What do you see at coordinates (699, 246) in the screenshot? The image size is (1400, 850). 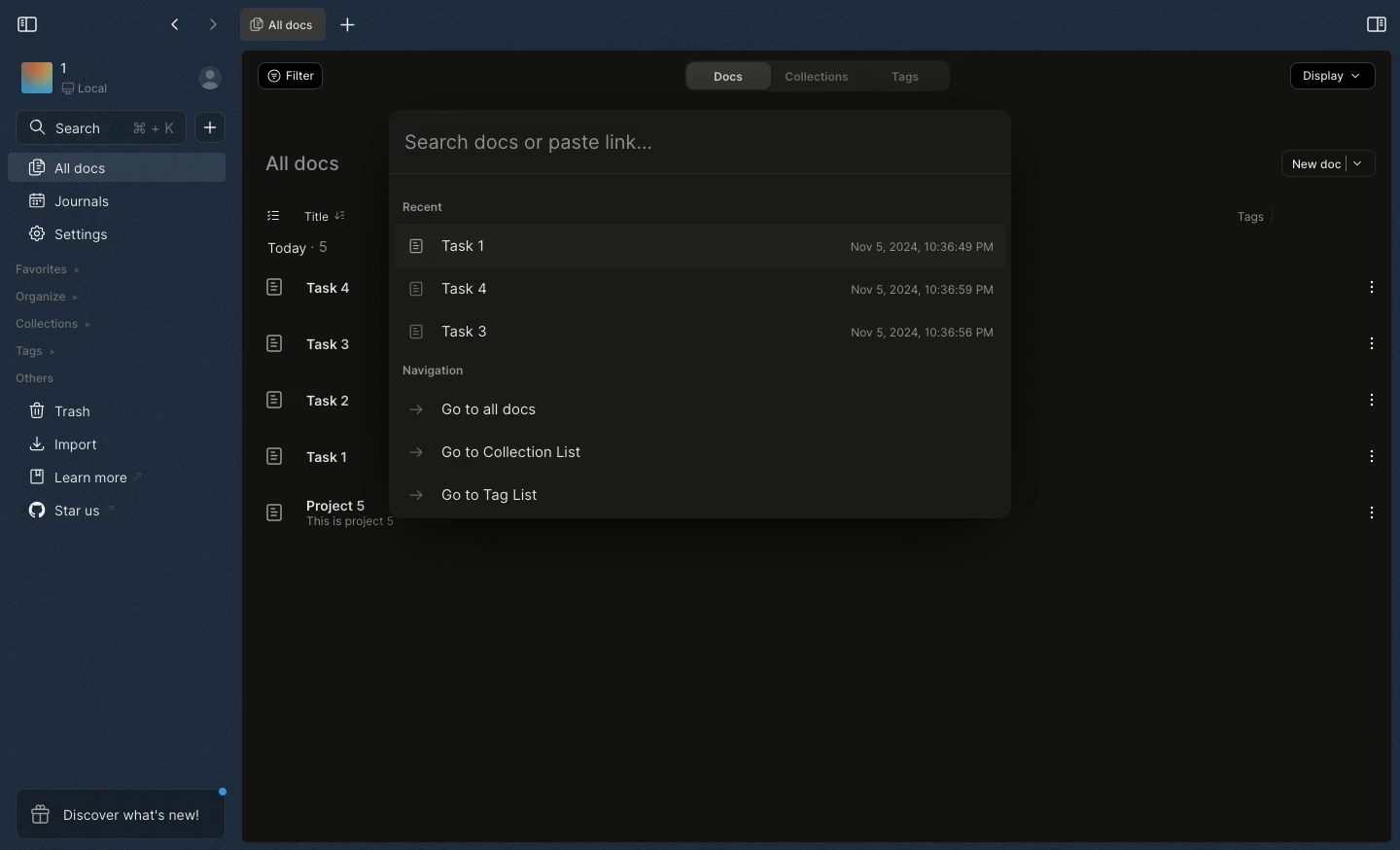 I see `Task 1` at bounding box center [699, 246].